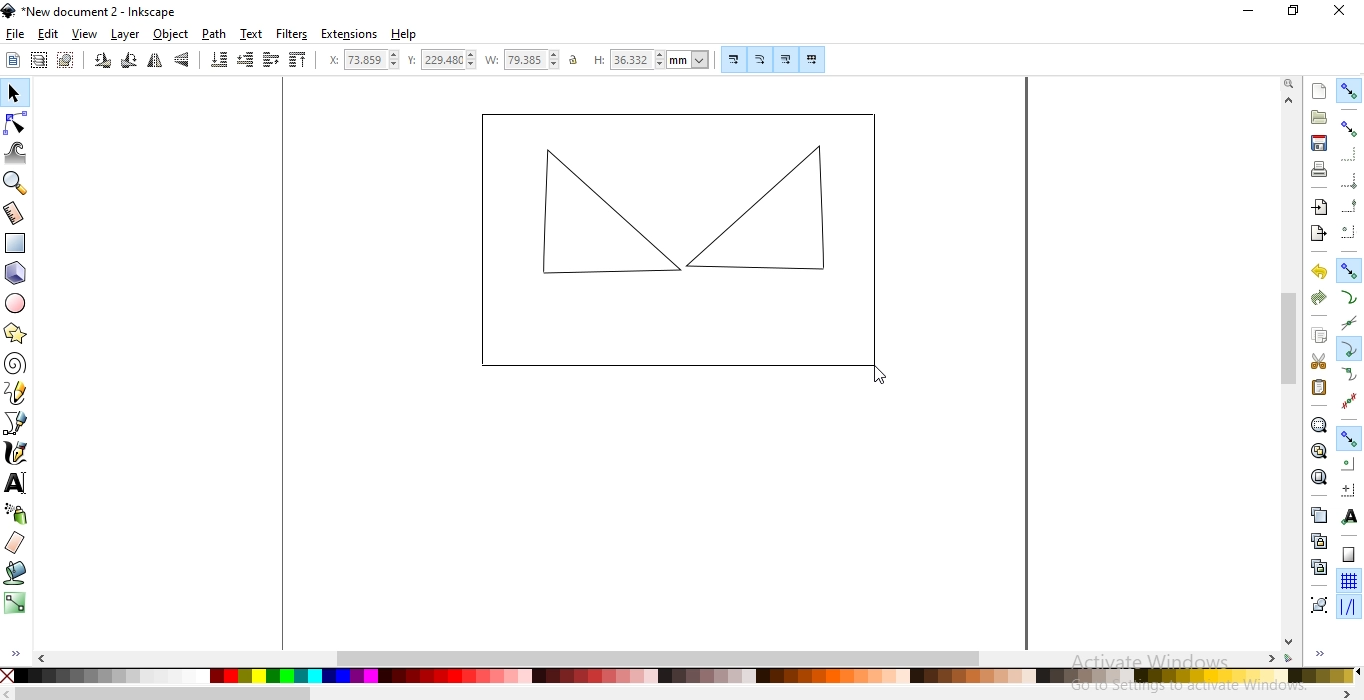 The height and width of the screenshot is (700, 1364). Describe the element at coordinates (183, 61) in the screenshot. I see `flip vertically` at that location.